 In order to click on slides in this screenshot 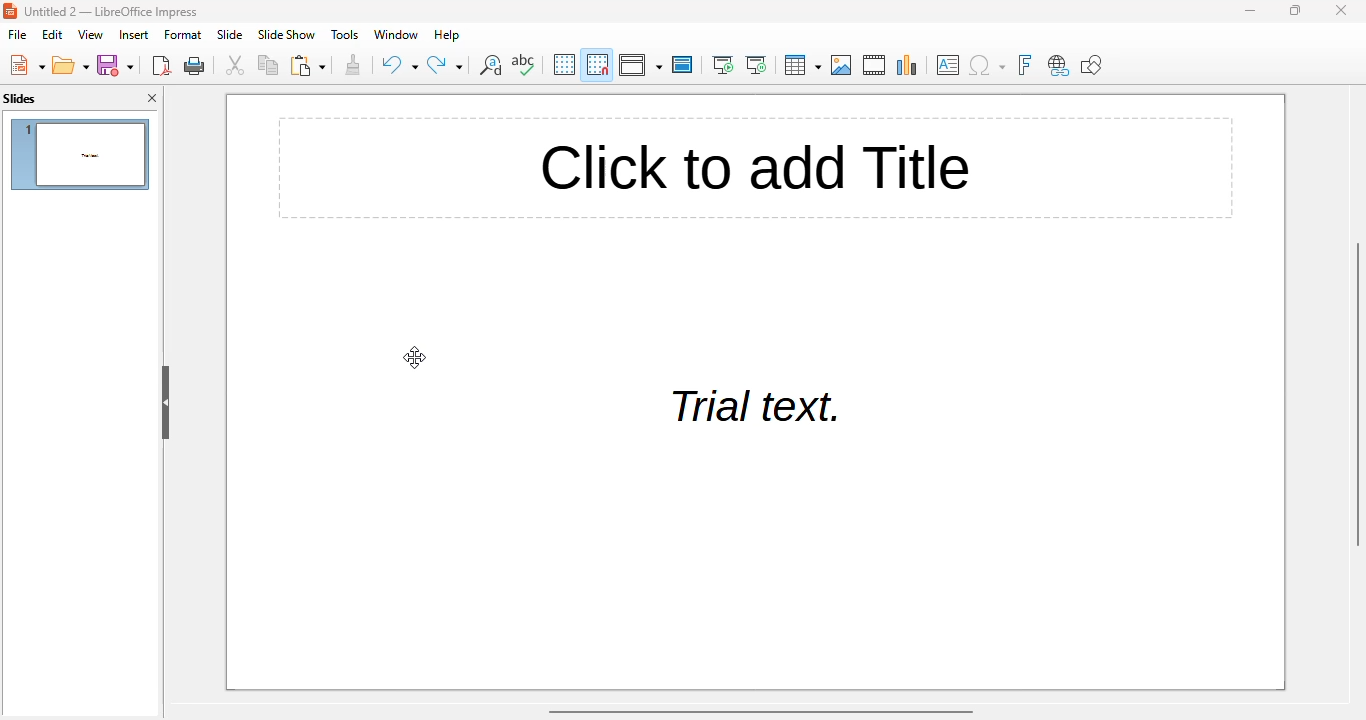, I will do `click(20, 98)`.